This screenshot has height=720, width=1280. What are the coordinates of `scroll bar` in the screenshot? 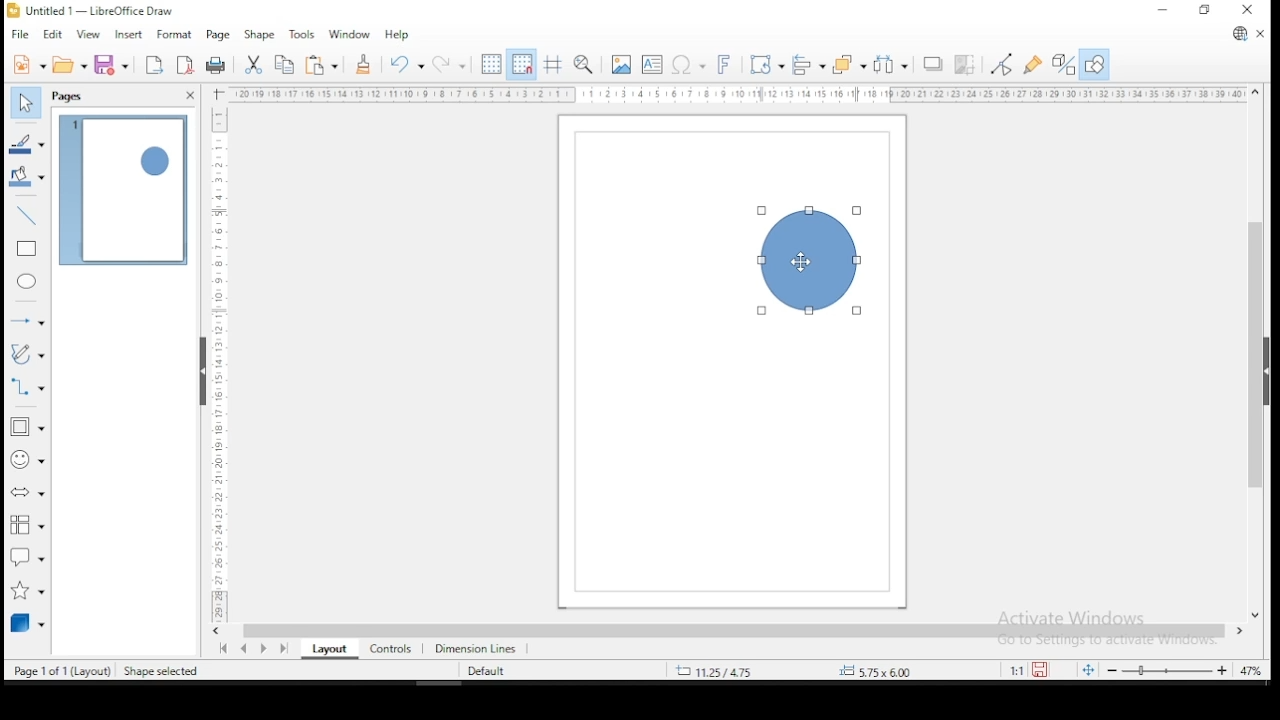 It's located at (733, 630).